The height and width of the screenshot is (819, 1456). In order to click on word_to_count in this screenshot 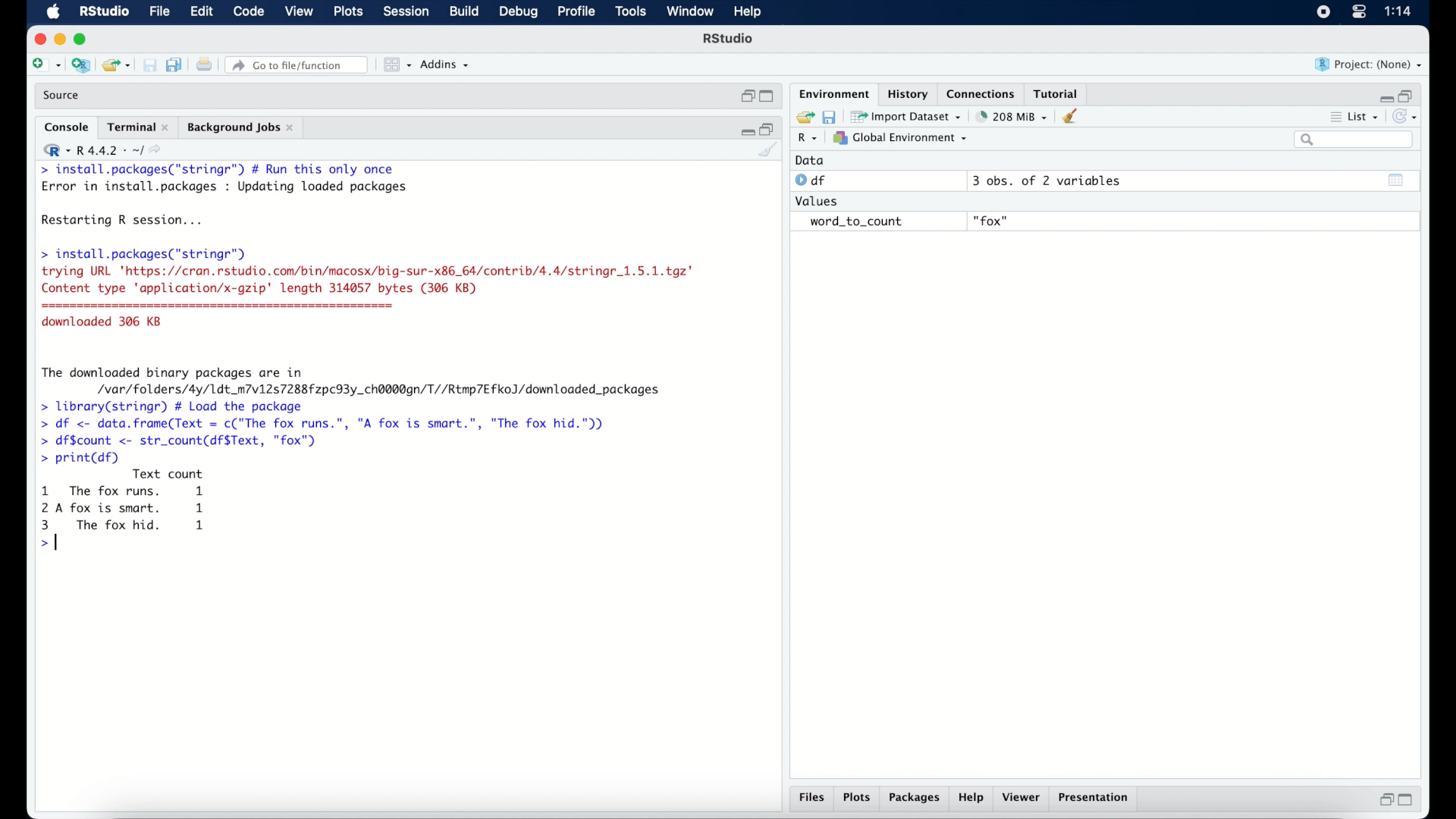, I will do `click(854, 222)`.